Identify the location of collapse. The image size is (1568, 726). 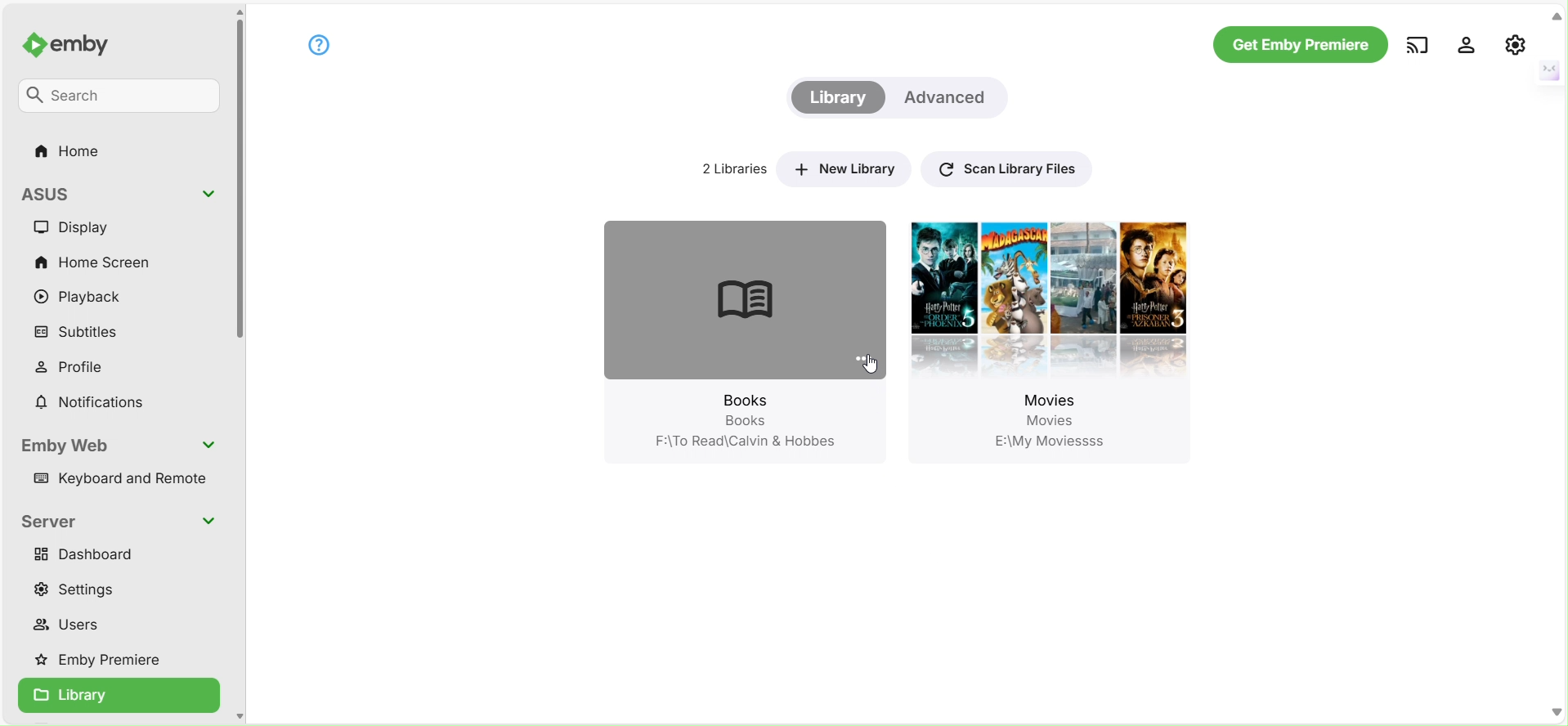
(1557, 16).